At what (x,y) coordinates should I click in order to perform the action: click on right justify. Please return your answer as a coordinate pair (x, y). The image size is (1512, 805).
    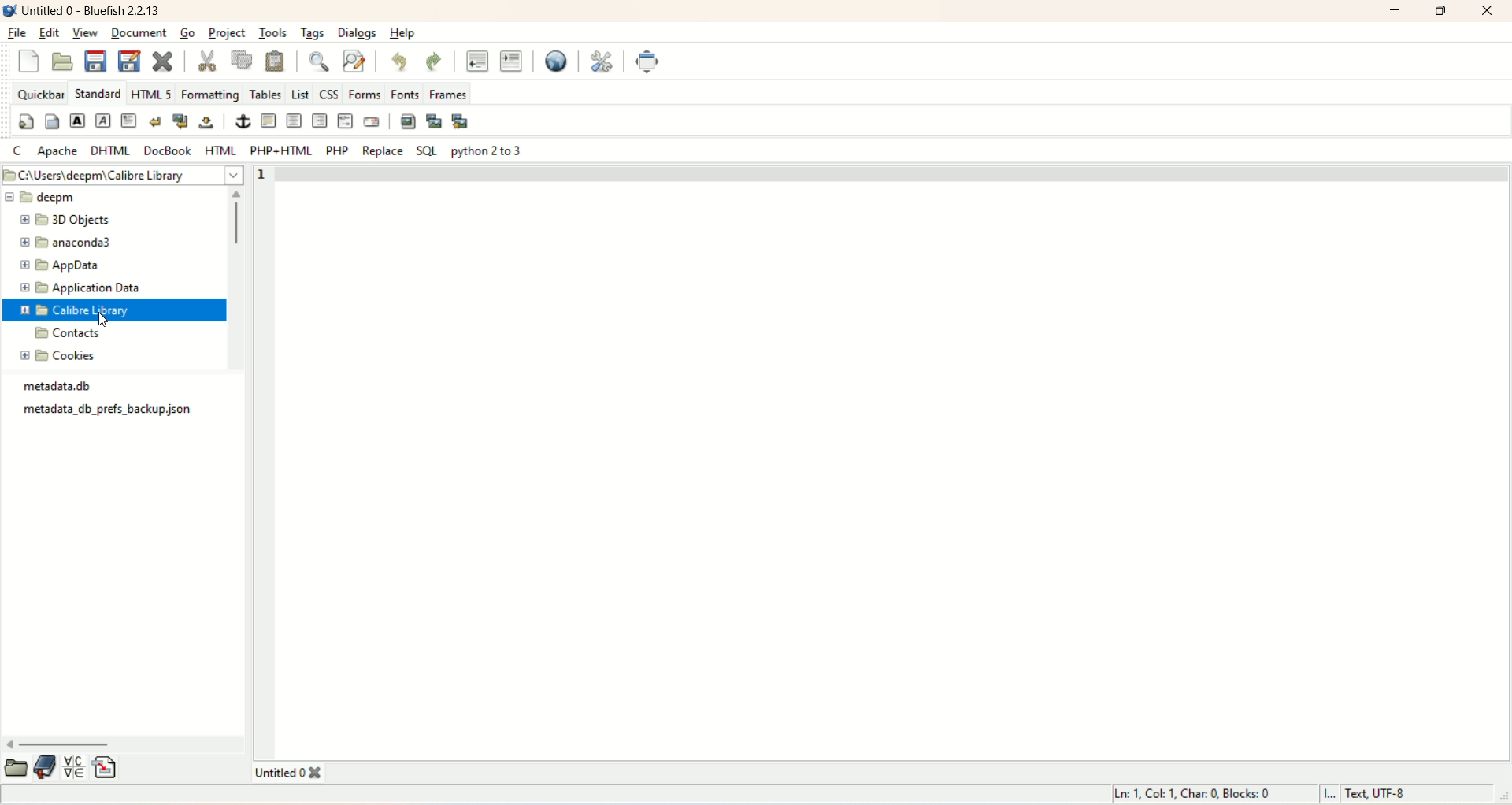
    Looking at the image, I should click on (319, 120).